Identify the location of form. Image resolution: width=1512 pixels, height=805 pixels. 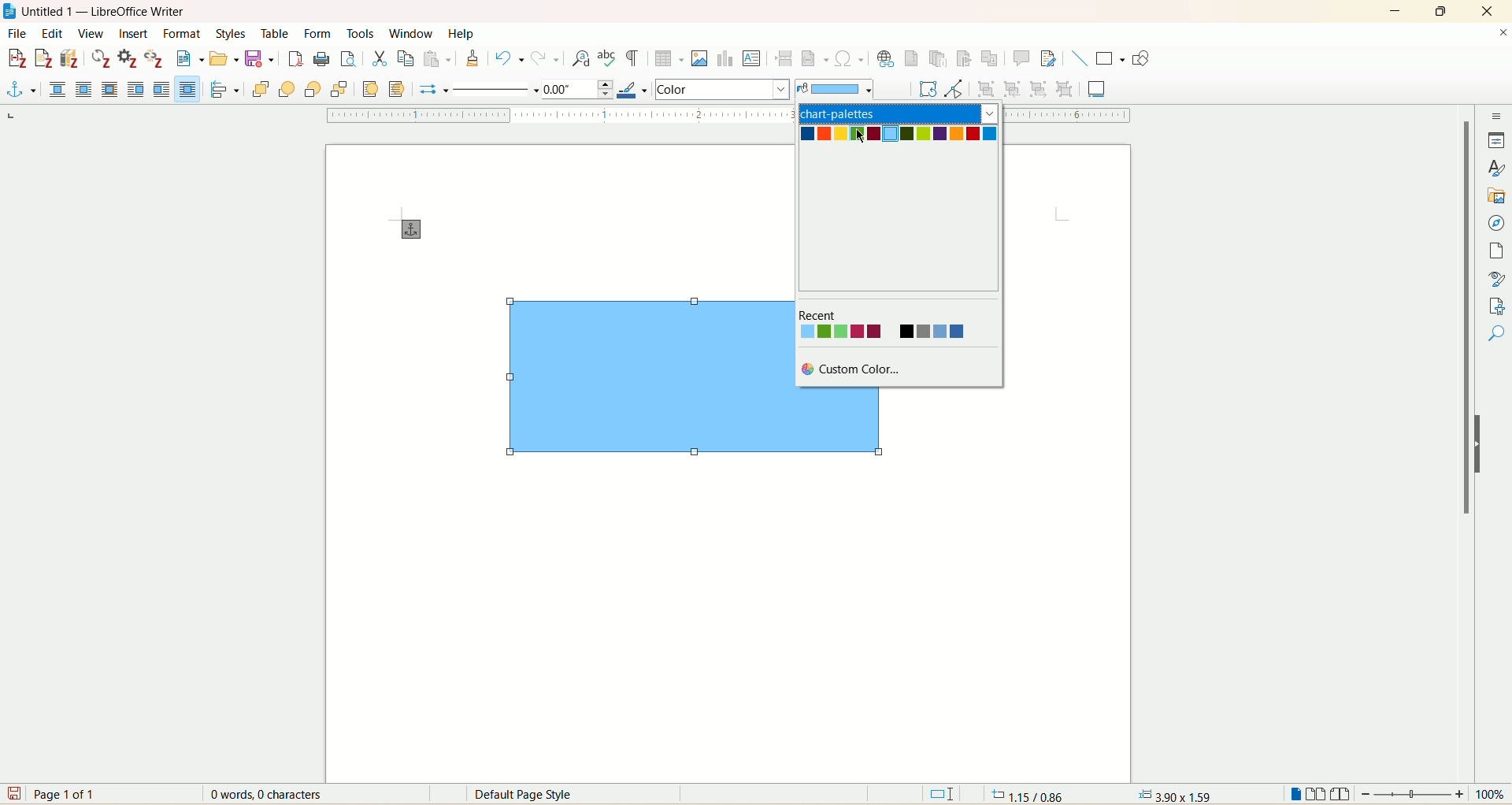
(319, 33).